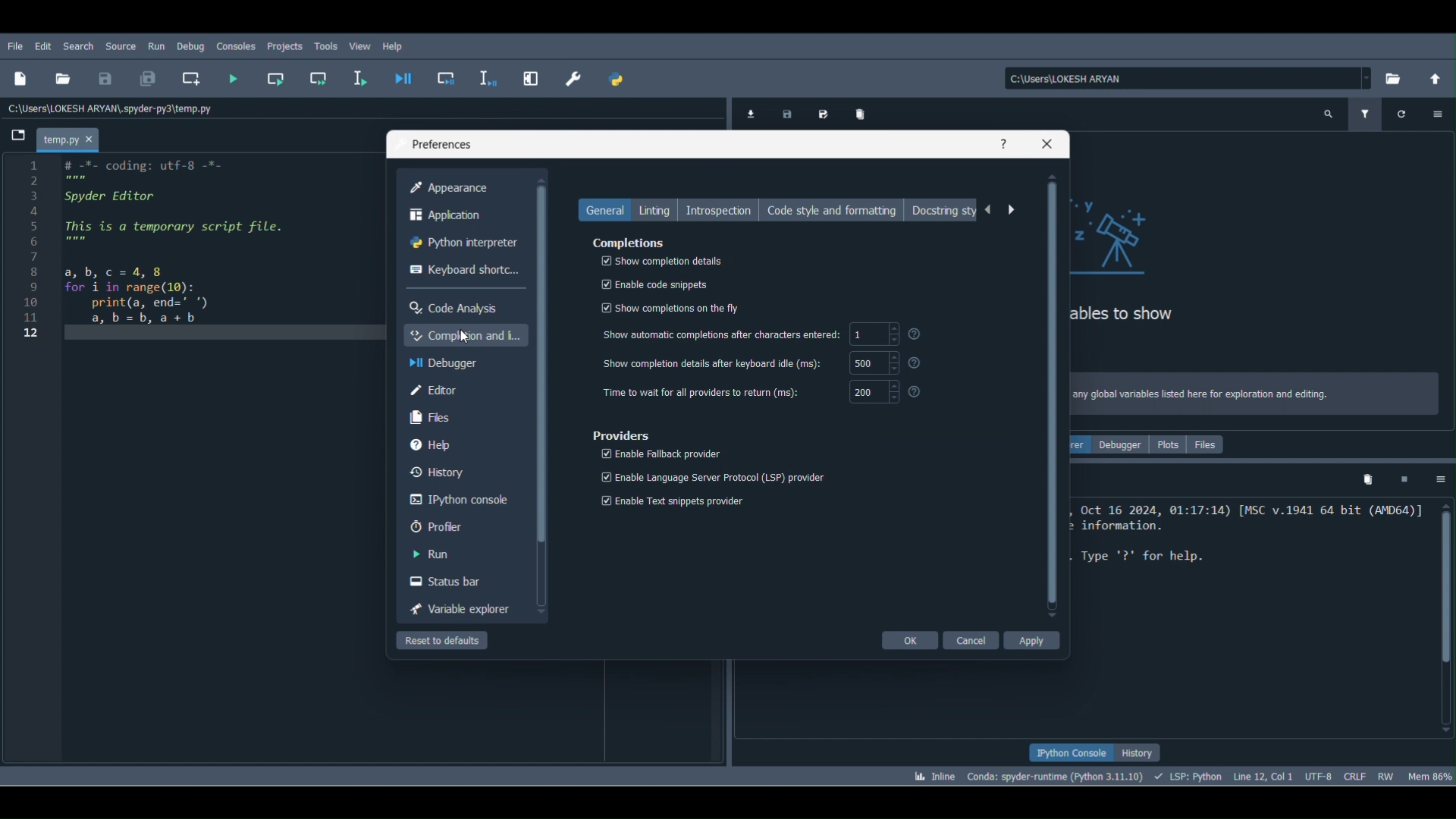 The width and height of the screenshot is (1456, 819). Describe the element at coordinates (452, 306) in the screenshot. I see `Code Analysis` at that location.